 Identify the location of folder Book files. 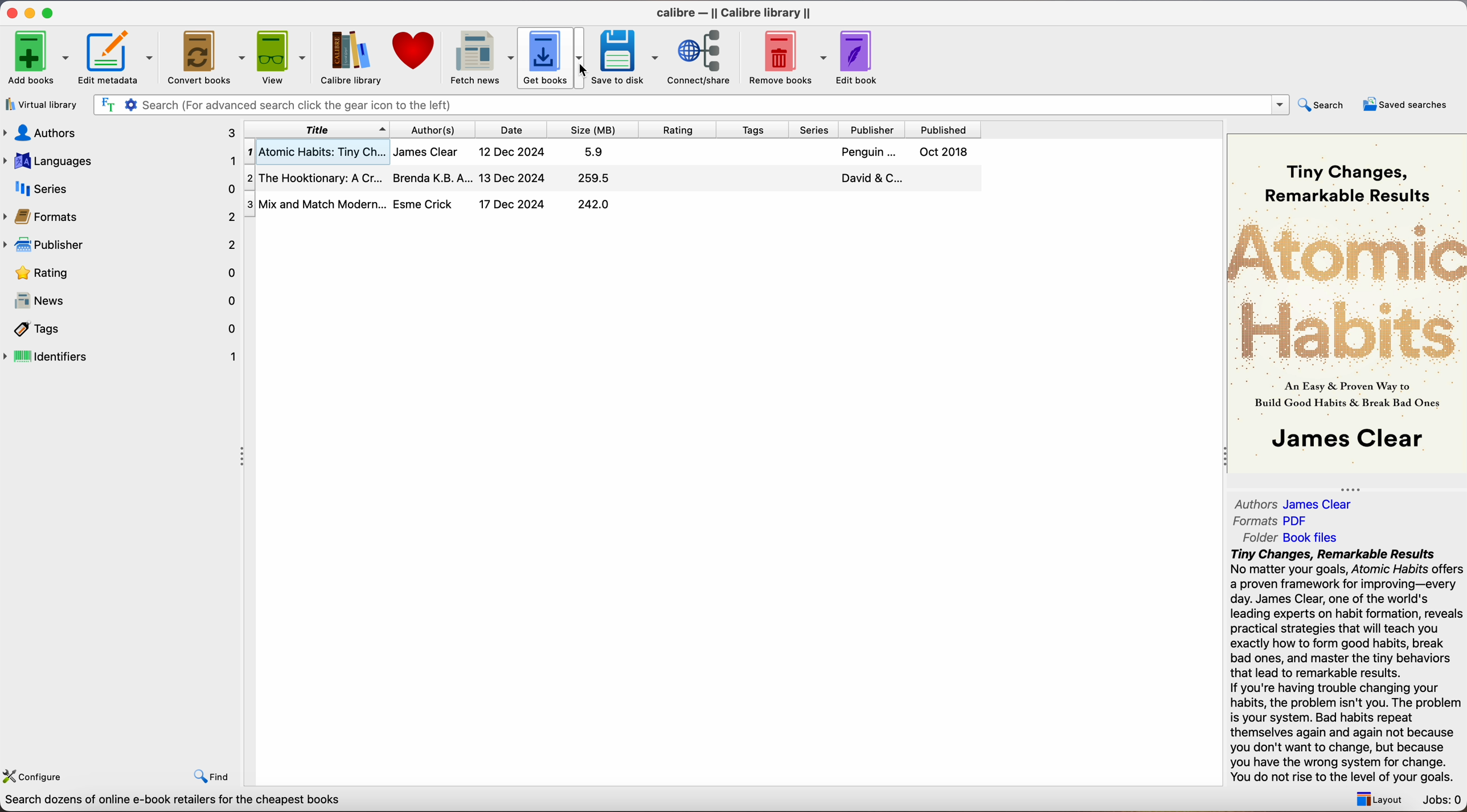
(1292, 537).